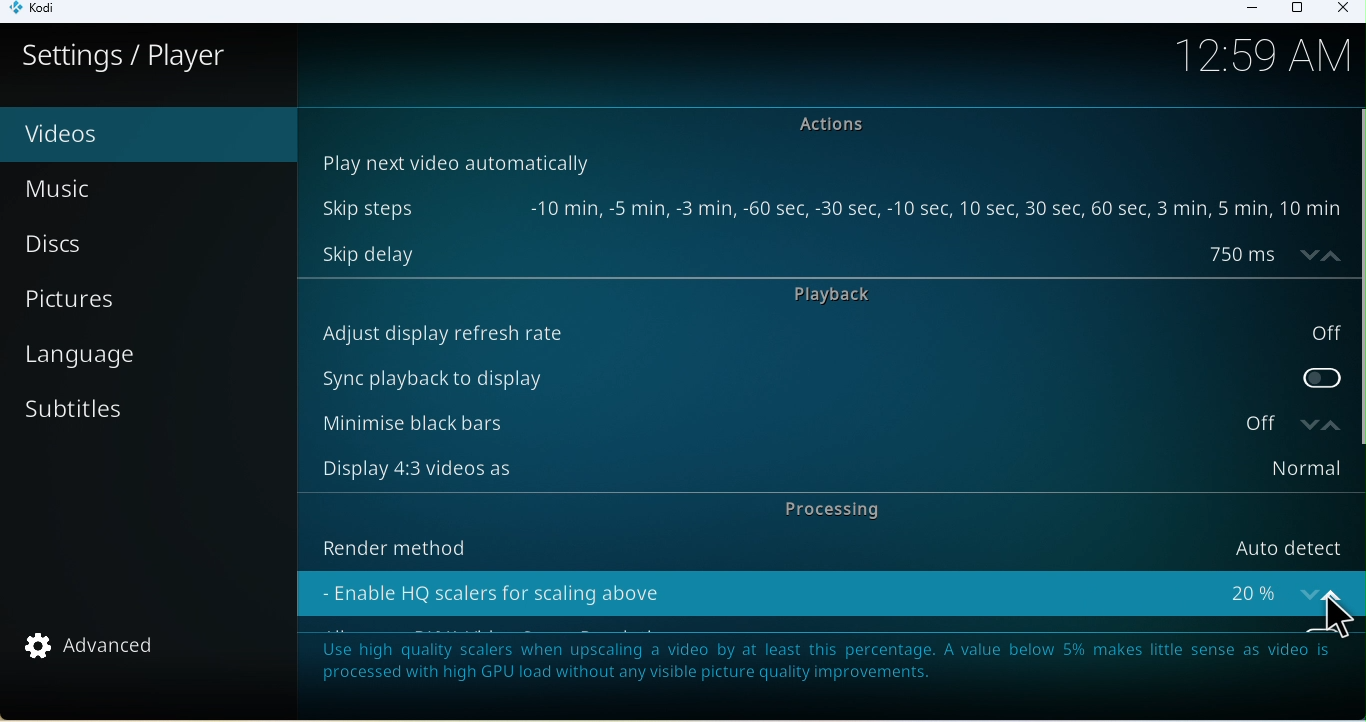 This screenshot has width=1366, height=722. I want to click on increase/decrease, so click(1316, 423).